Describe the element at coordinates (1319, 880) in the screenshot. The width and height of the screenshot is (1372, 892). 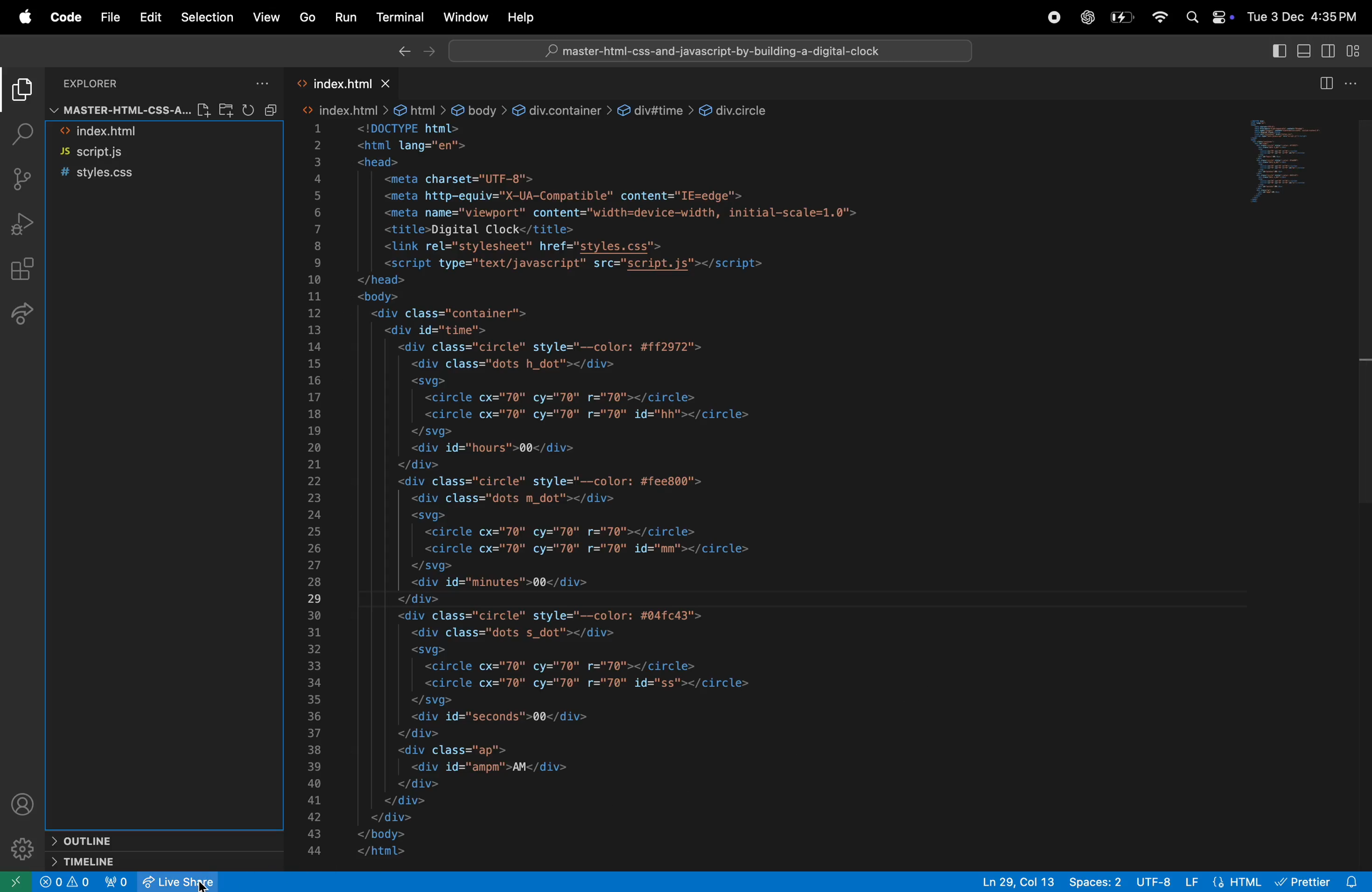
I see `pritter extension installed` at that location.